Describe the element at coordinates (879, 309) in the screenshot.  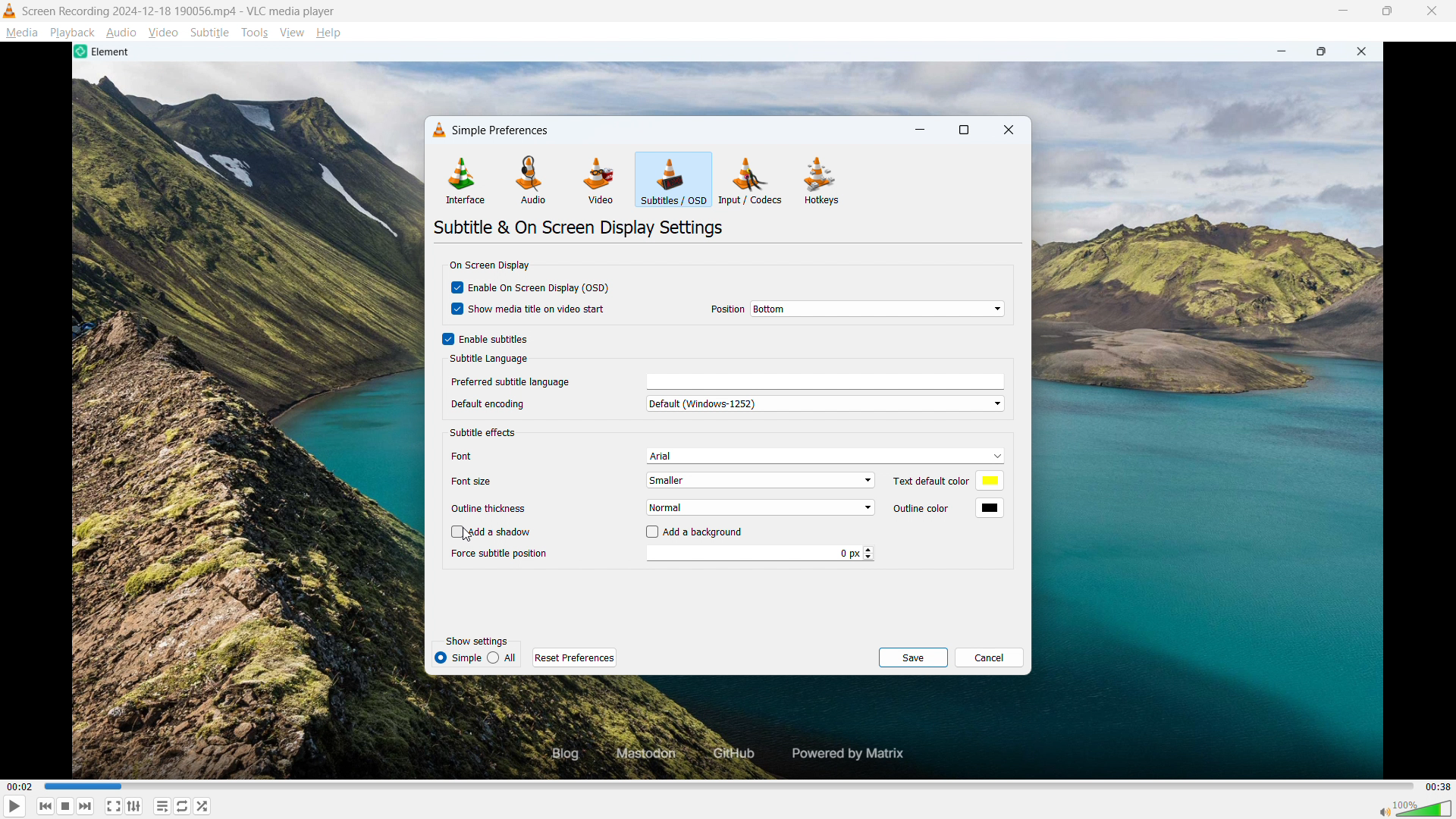
I see `Bottom` at that location.